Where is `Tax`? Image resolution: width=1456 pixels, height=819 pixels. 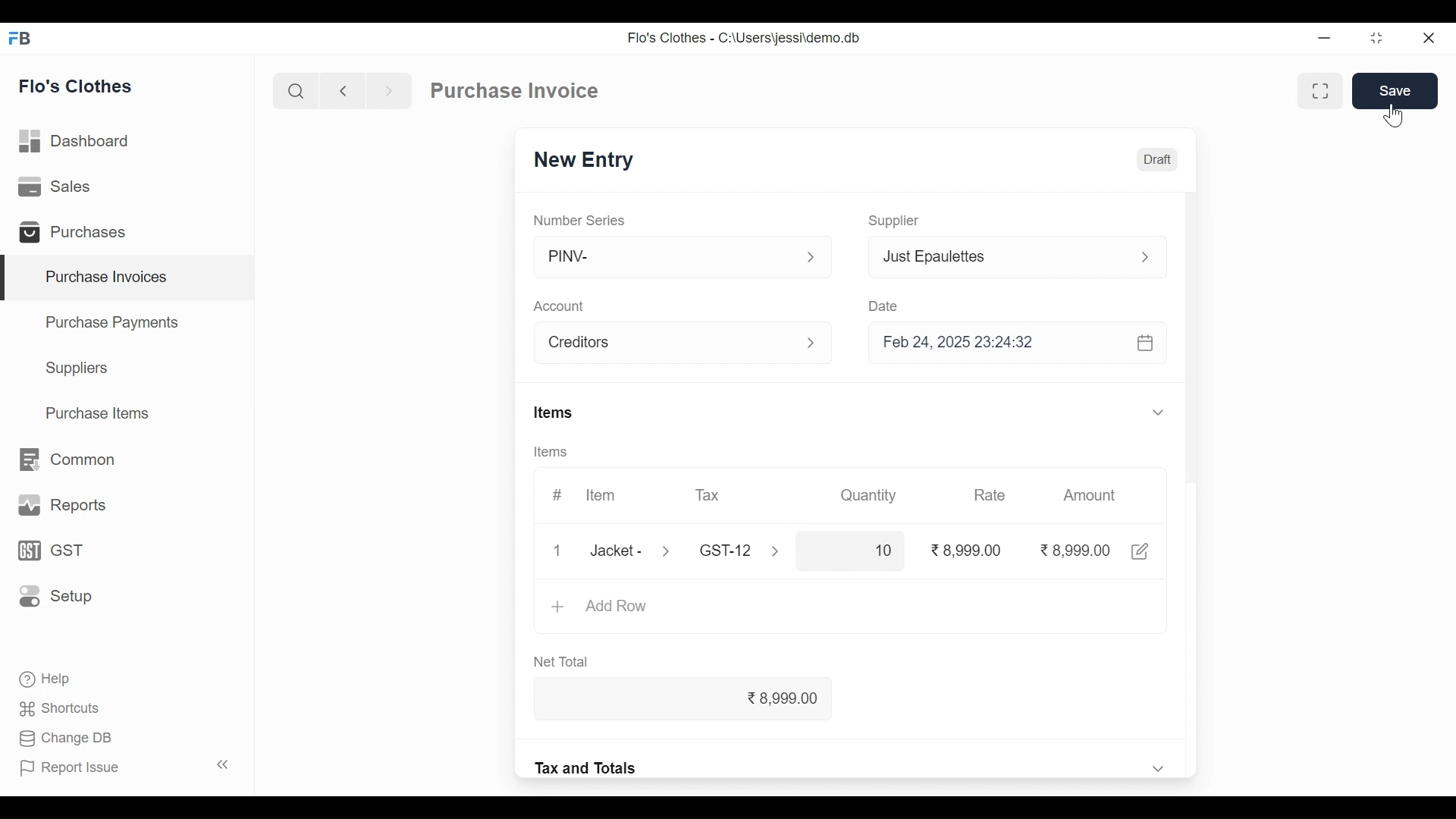 Tax is located at coordinates (712, 496).